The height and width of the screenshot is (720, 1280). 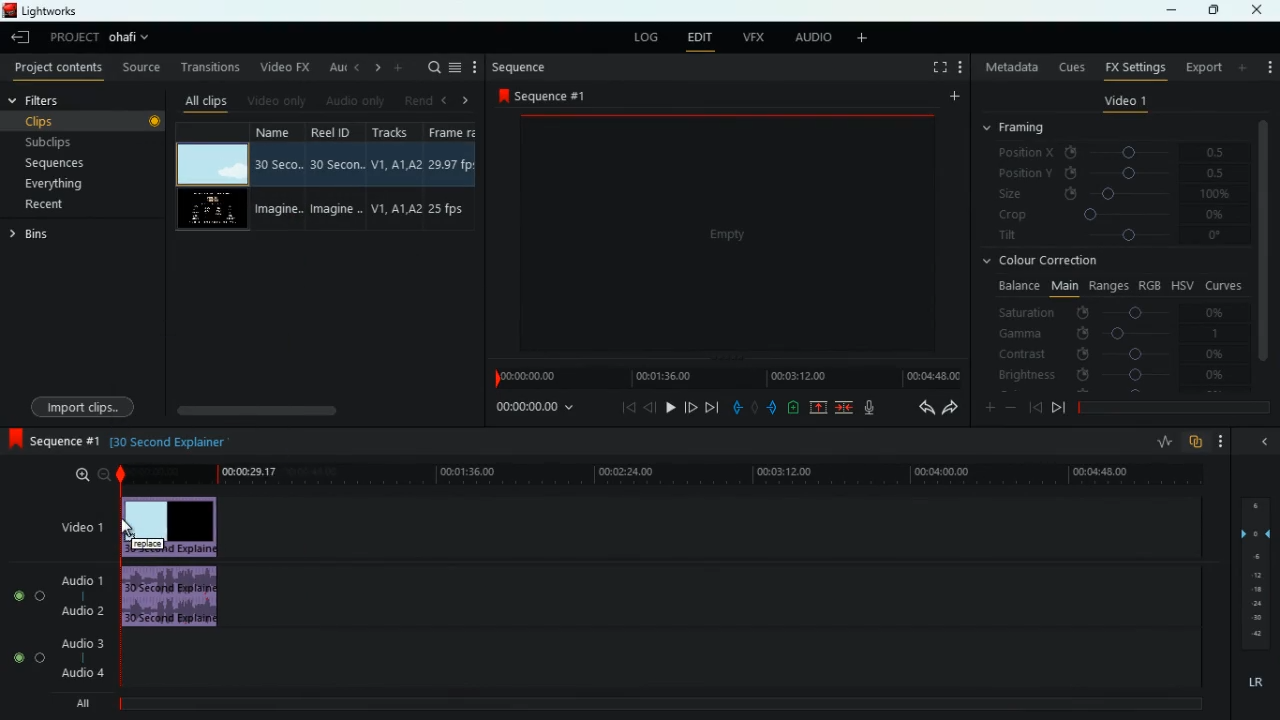 I want to click on audio 2, so click(x=78, y=611).